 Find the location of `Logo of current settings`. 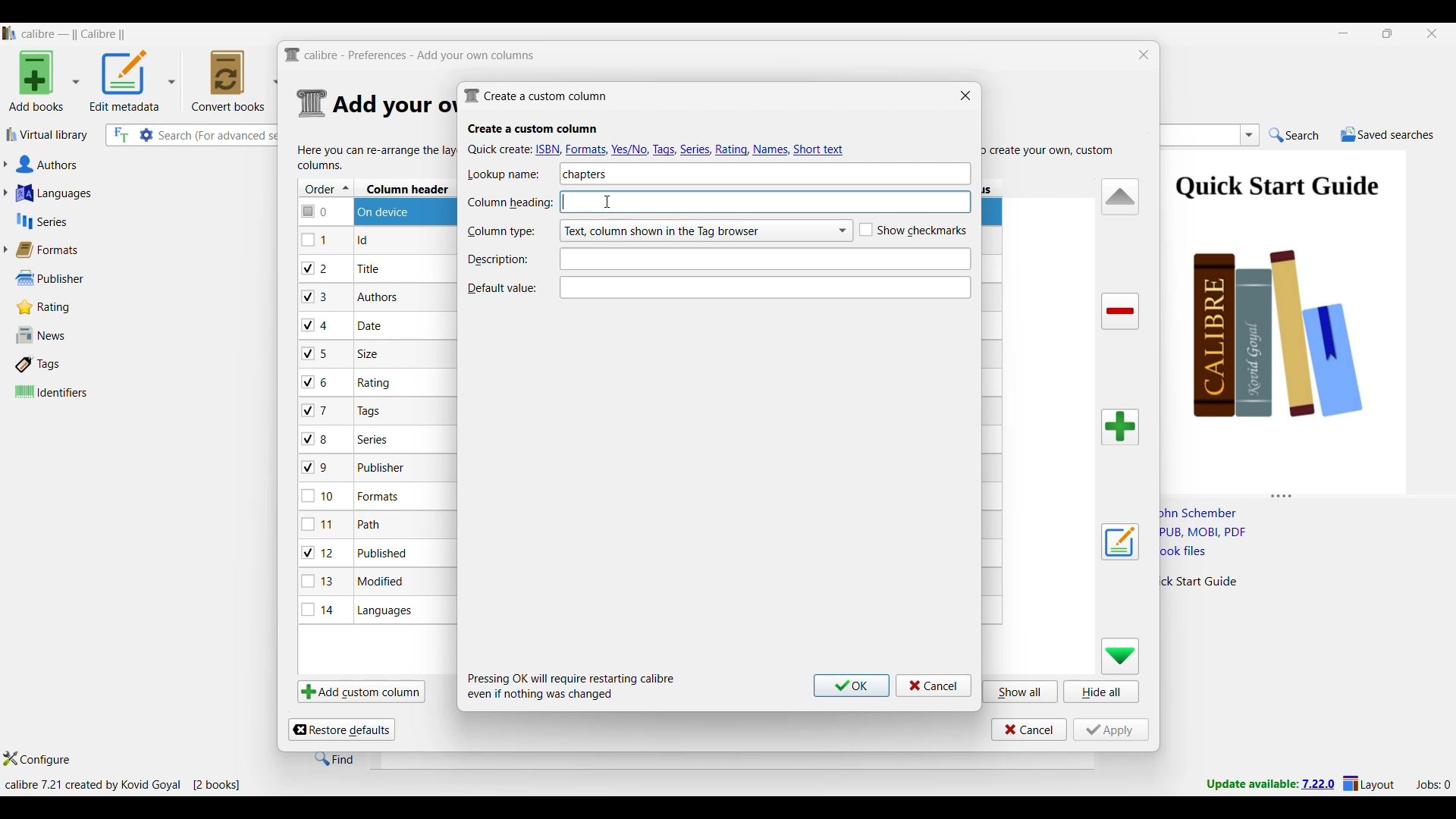

Logo of current settings is located at coordinates (312, 104).